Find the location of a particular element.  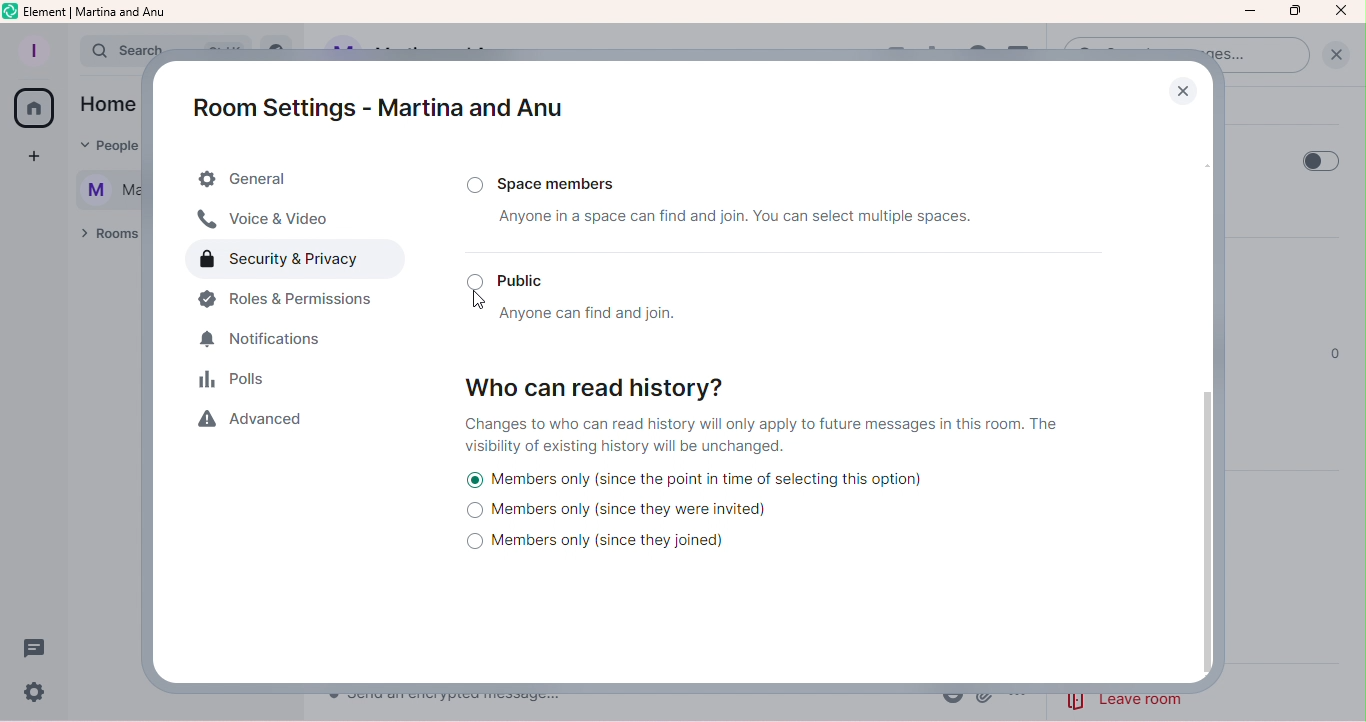

Profile is located at coordinates (32, 52).